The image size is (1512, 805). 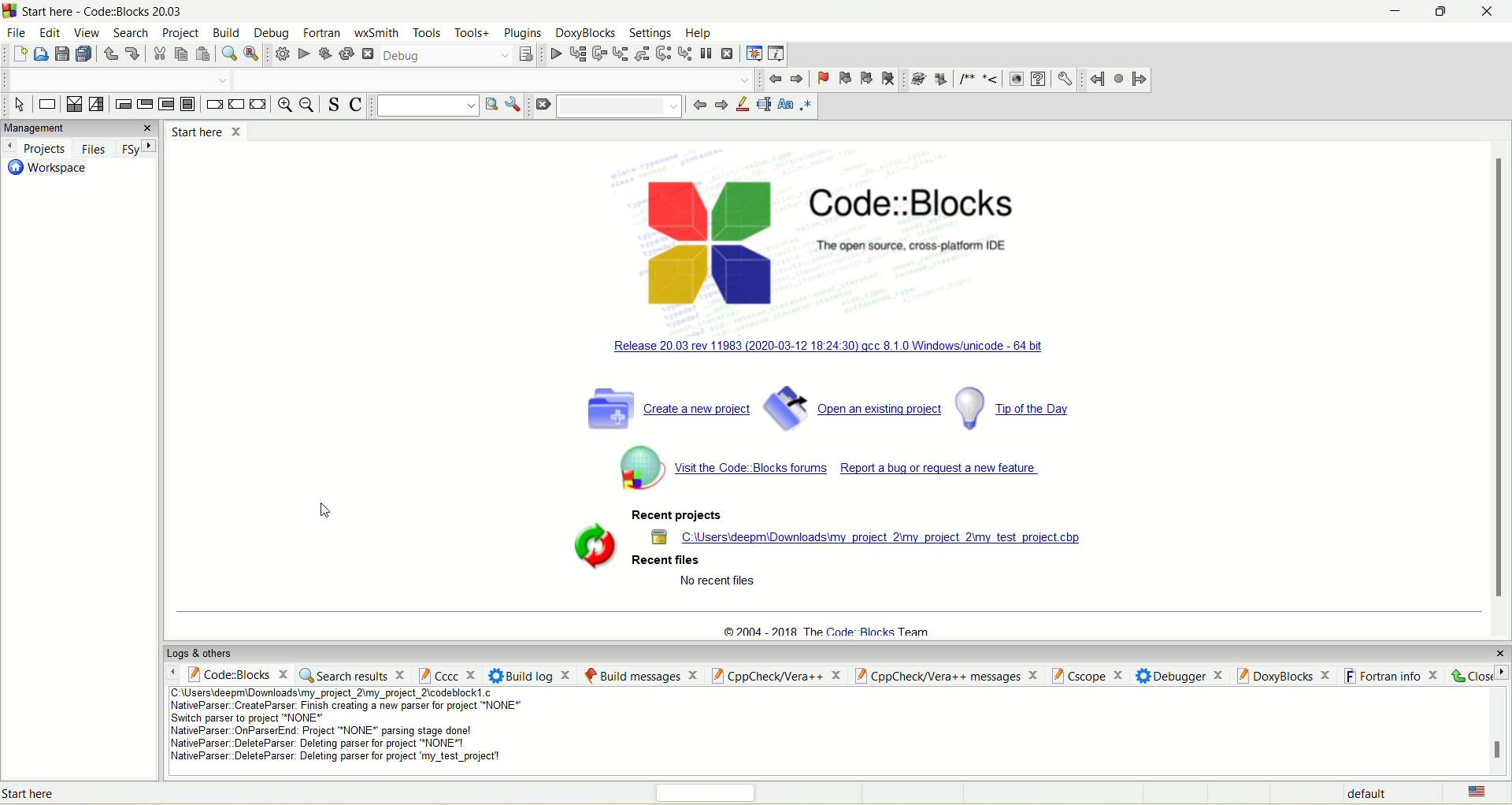 What do you see at coordinates (21, 105) in the screenshot?
I see `select` at bounding box center [21, 105].